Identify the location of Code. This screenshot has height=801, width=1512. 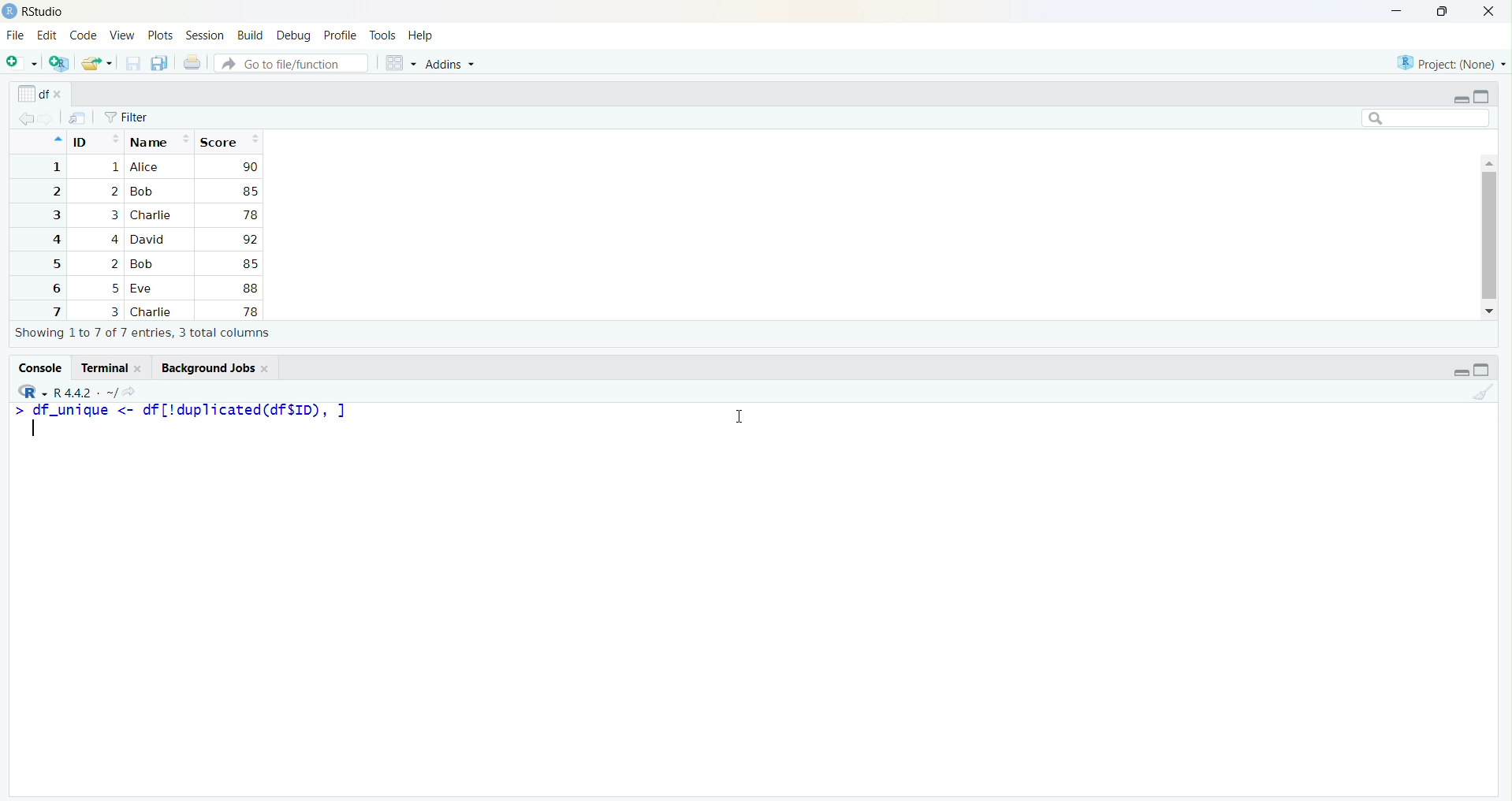
(84, 36).